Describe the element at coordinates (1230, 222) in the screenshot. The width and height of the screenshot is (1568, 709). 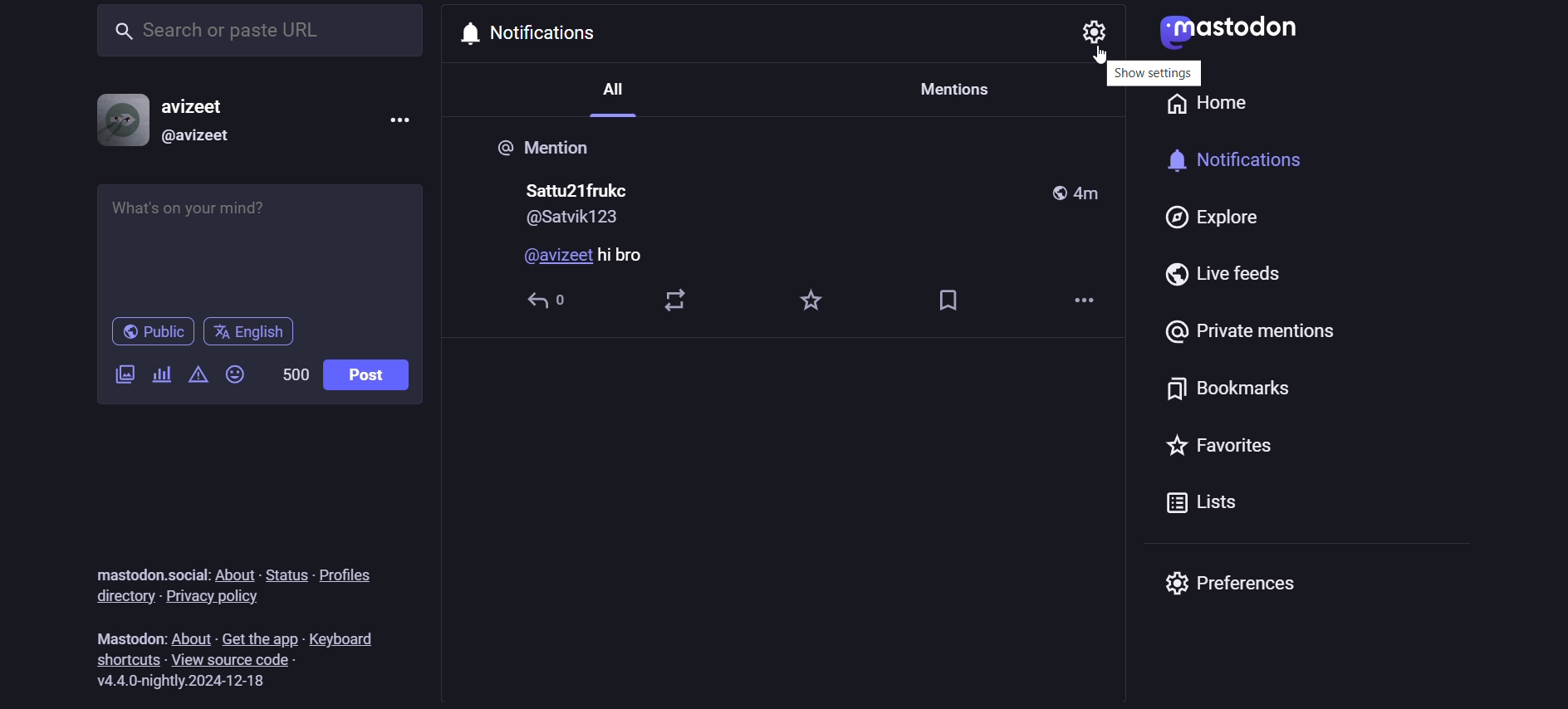
I see `explore` at that location.